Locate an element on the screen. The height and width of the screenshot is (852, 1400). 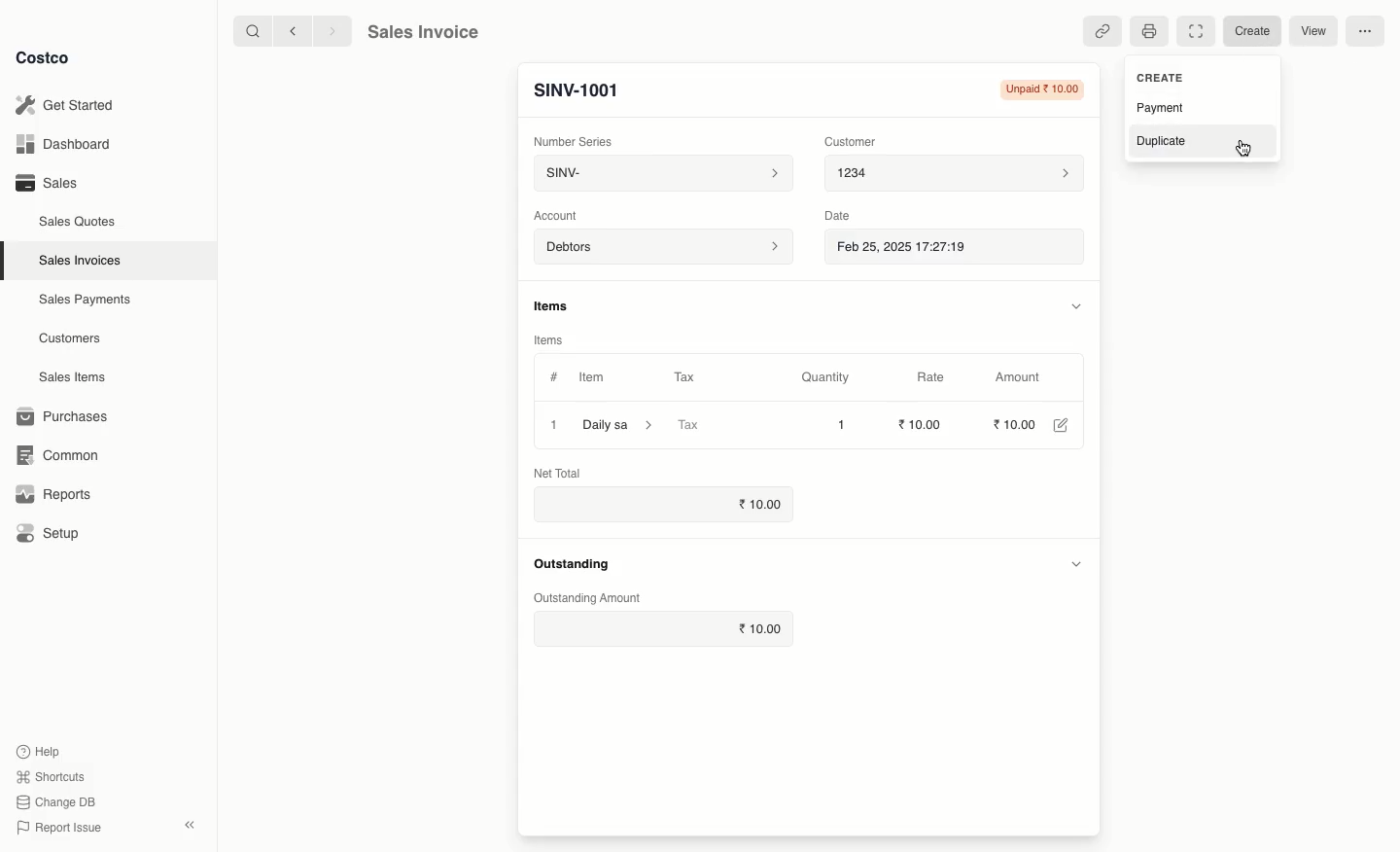
Common is located at coordinates (60, 456).